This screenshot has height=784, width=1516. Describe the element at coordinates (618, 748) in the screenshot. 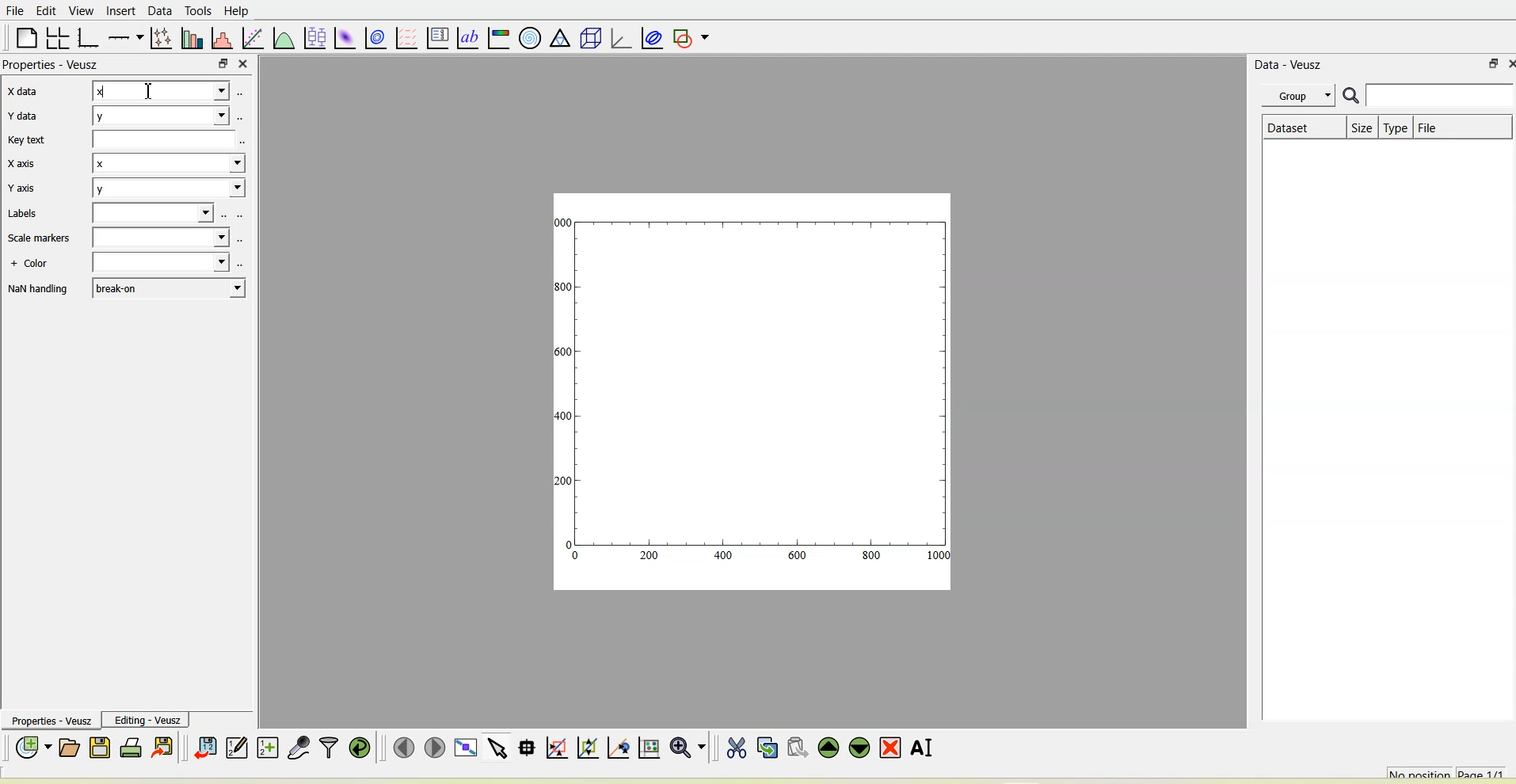

I see `Click to recenter graph axes` at that location.